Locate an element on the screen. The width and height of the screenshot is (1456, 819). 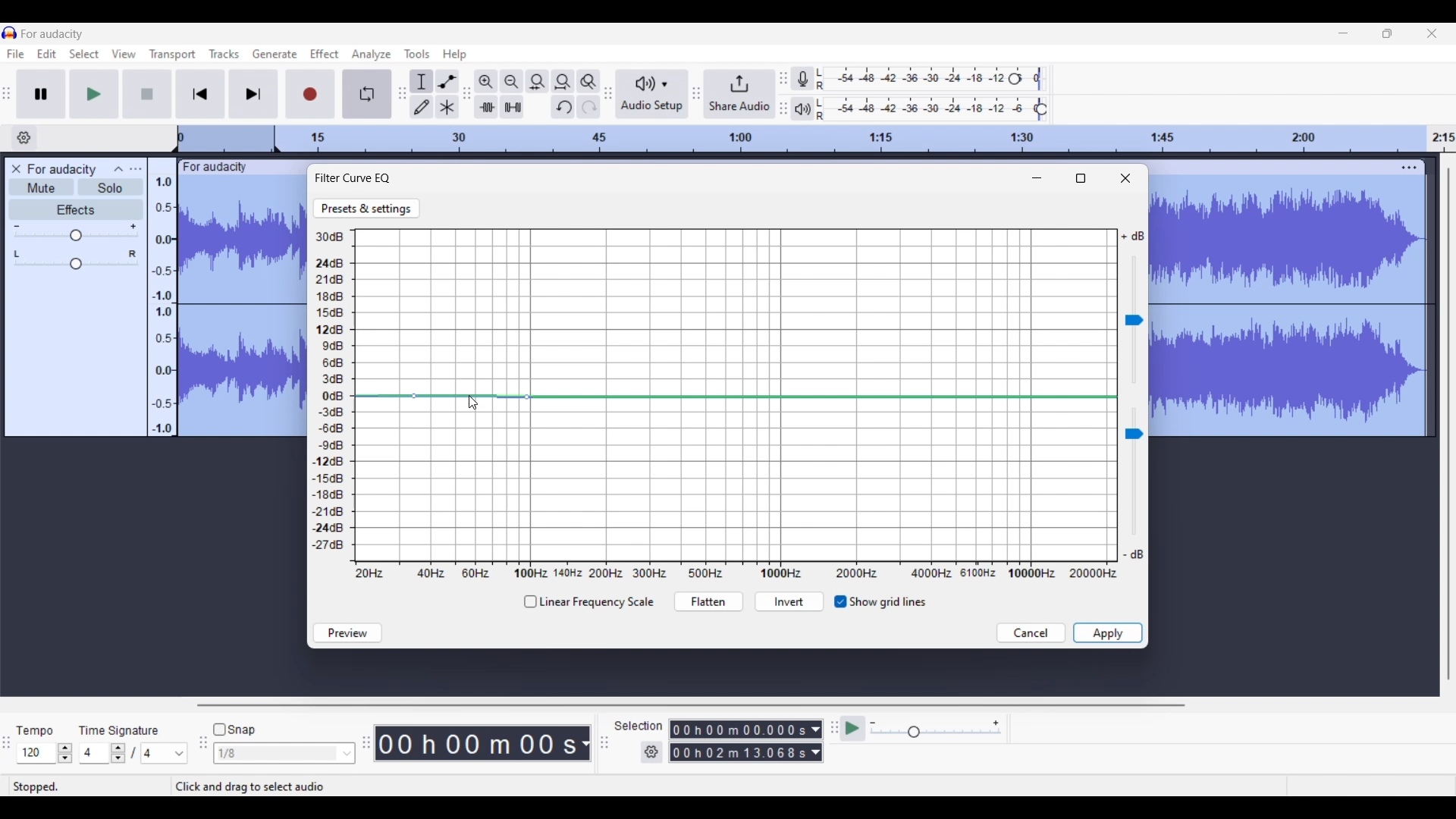
Generate menu is located at coordinates (271, 55).